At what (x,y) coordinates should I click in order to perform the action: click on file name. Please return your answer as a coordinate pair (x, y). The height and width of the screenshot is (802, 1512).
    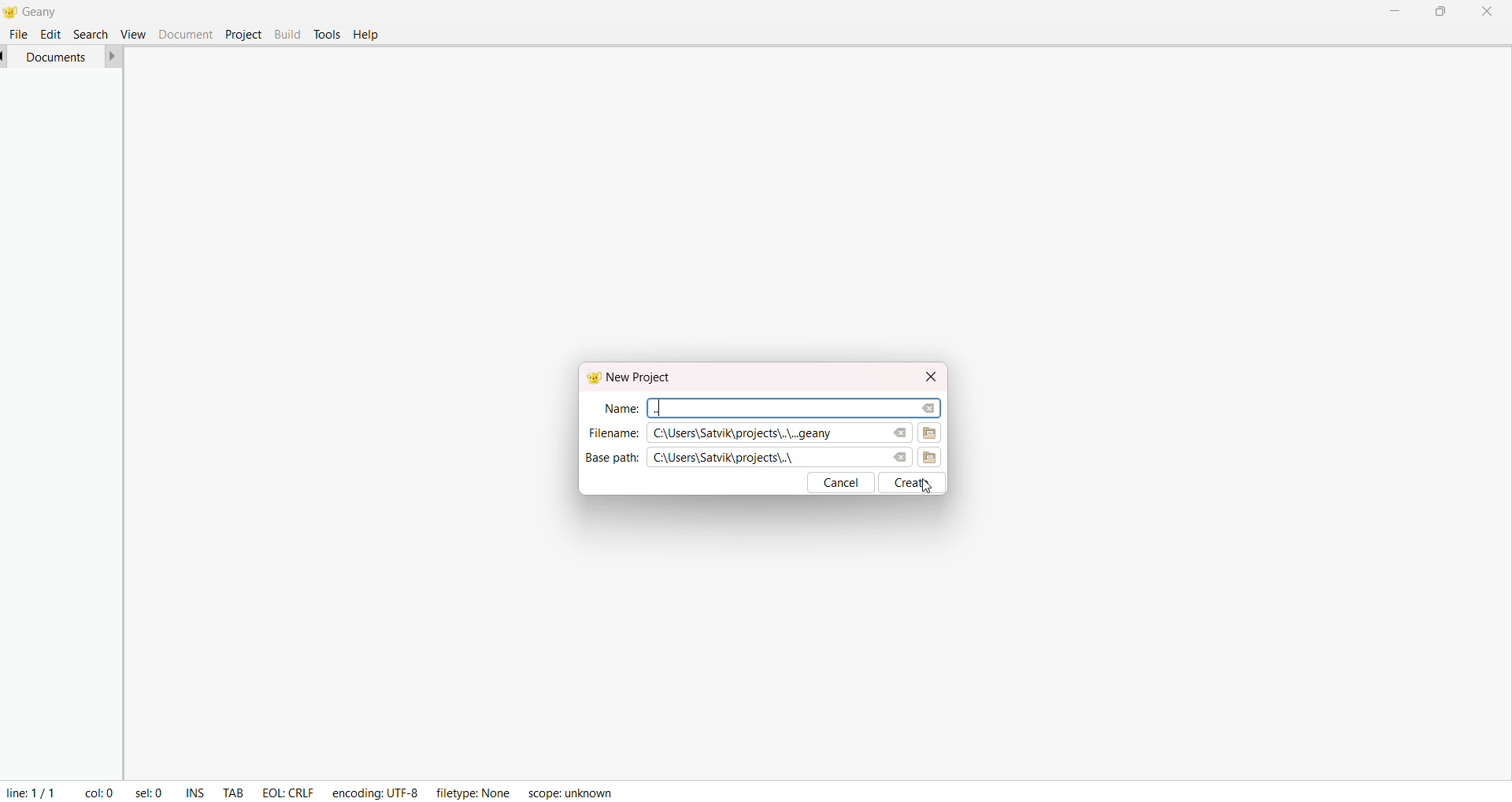
    Looking at the image, I should click on (610, 432).